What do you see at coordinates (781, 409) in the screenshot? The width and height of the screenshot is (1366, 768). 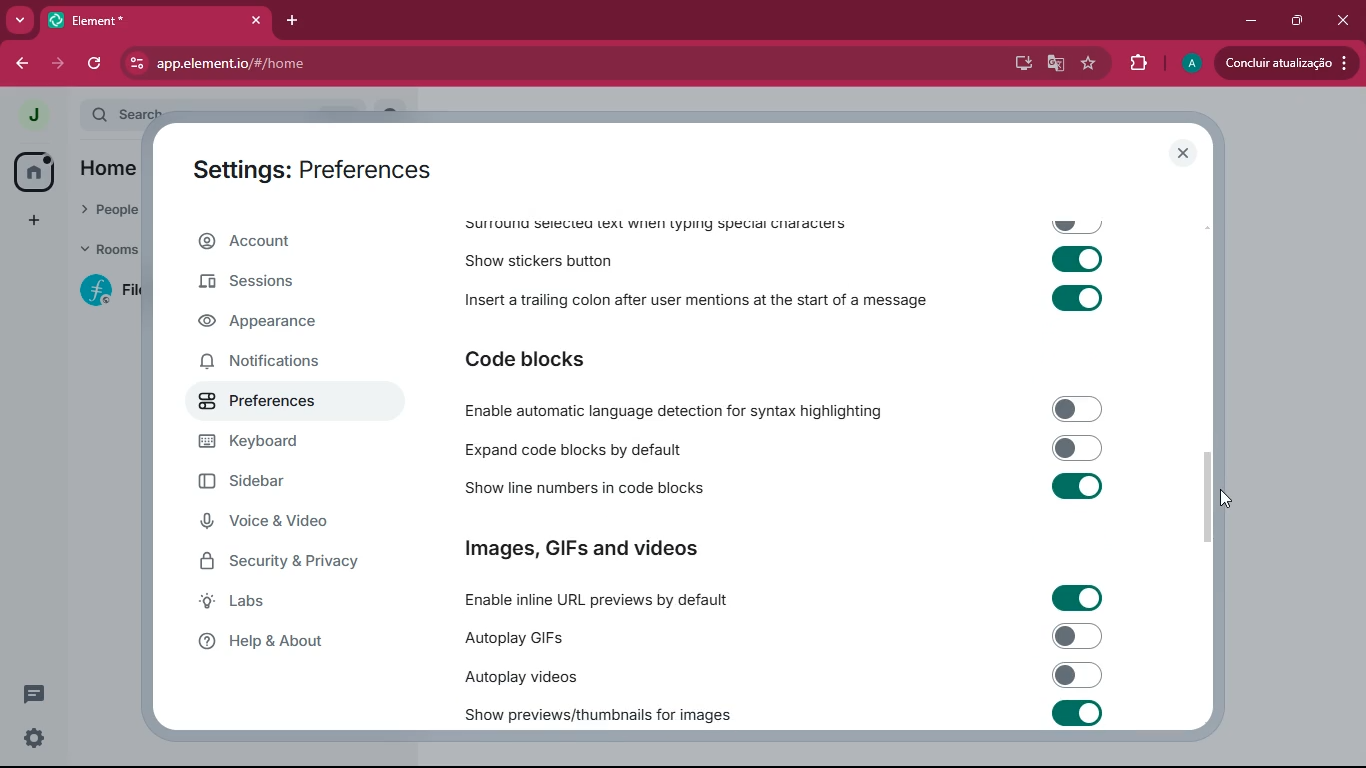 I see `Enable automatic language detection for syntax highlighting` at bounding box center [781, 409].